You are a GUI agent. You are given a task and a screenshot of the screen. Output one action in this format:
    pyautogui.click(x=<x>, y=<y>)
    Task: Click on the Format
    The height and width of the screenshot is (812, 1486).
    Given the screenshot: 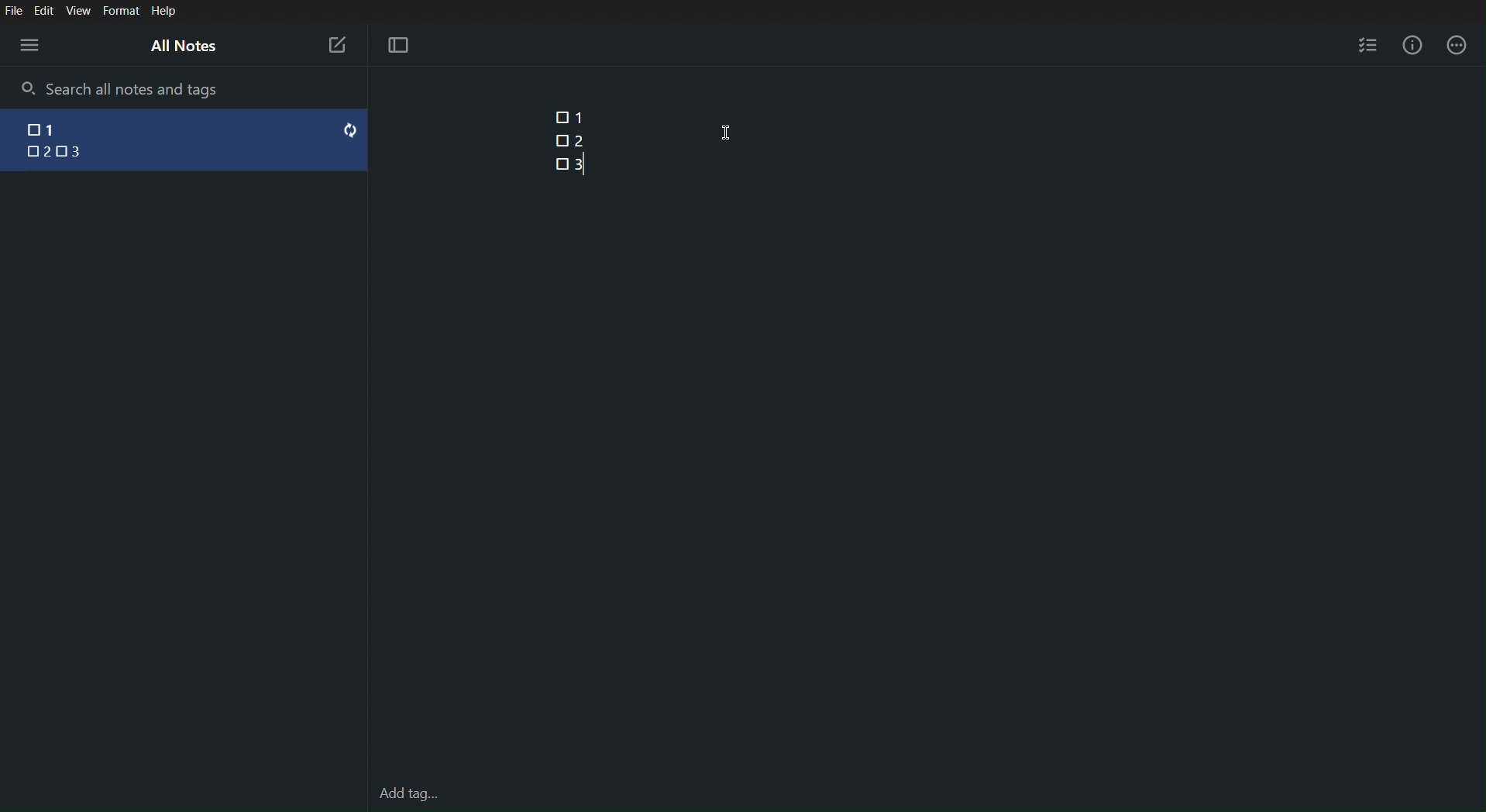 What is the action you would take?
    pyautogui.click(x=120, y=12)
    